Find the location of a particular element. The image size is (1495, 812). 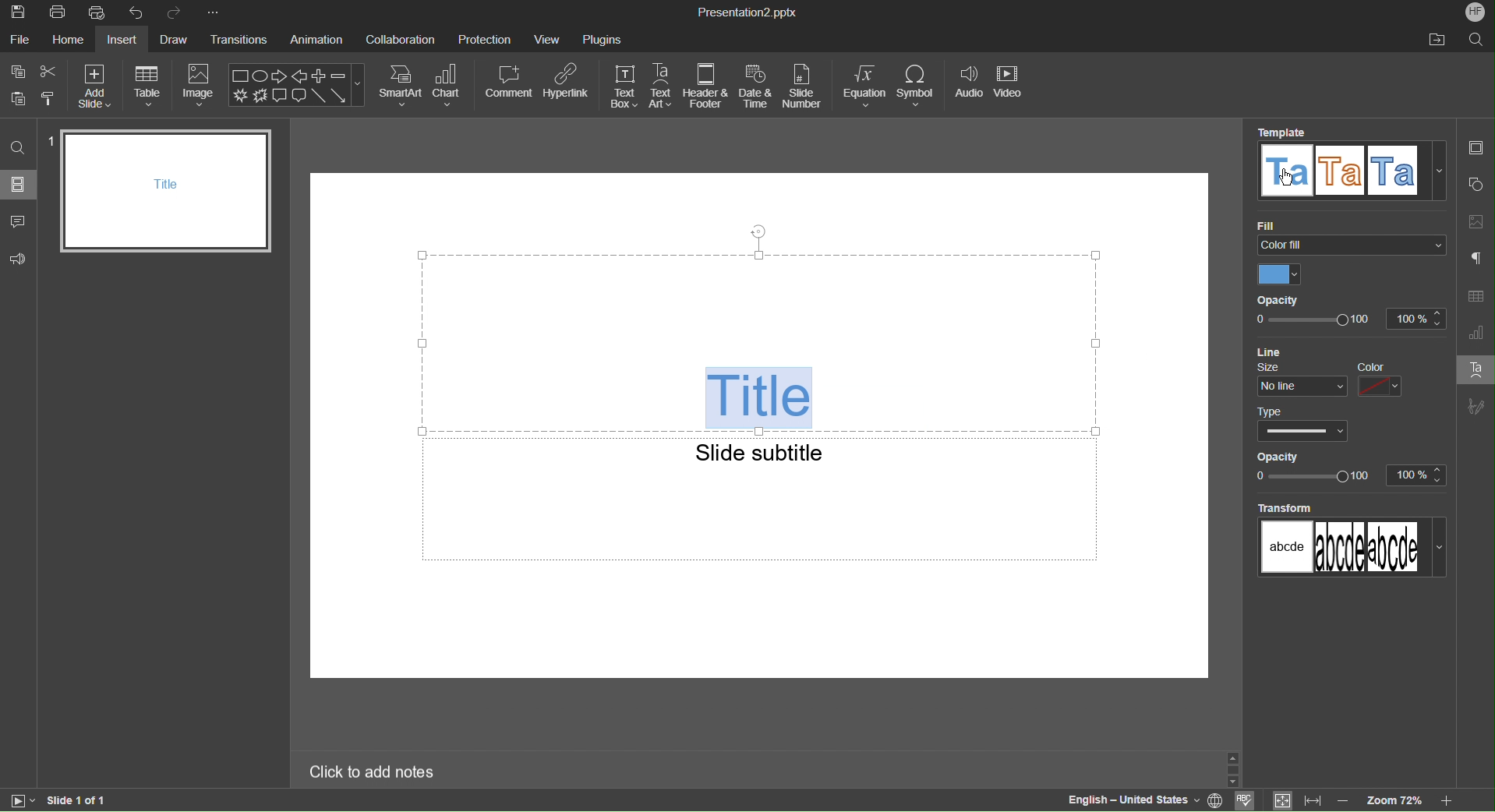

Color is located at coordinates (1394, 380).